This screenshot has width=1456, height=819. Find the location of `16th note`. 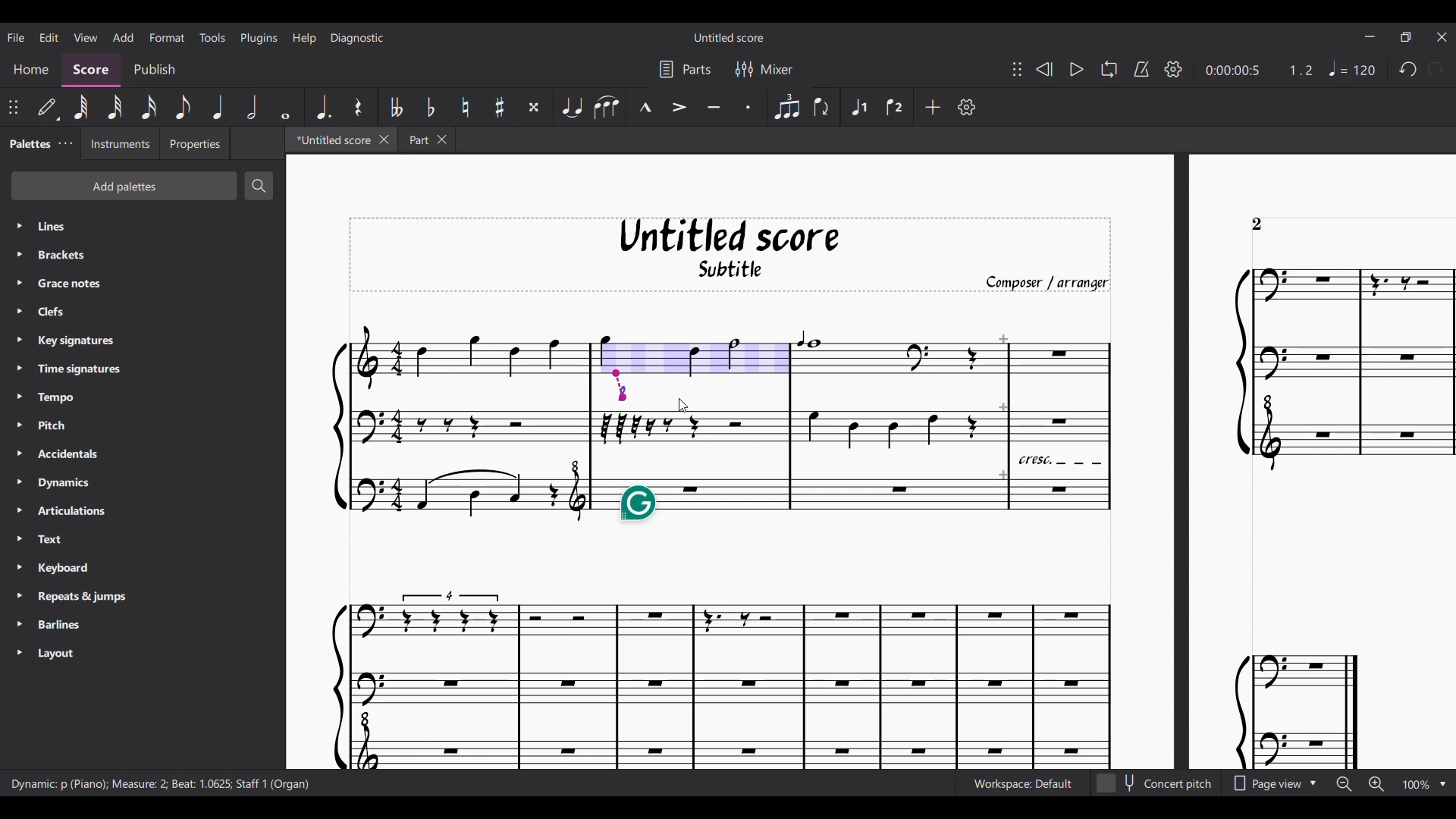

16th note is located at coordinates (149, 107).